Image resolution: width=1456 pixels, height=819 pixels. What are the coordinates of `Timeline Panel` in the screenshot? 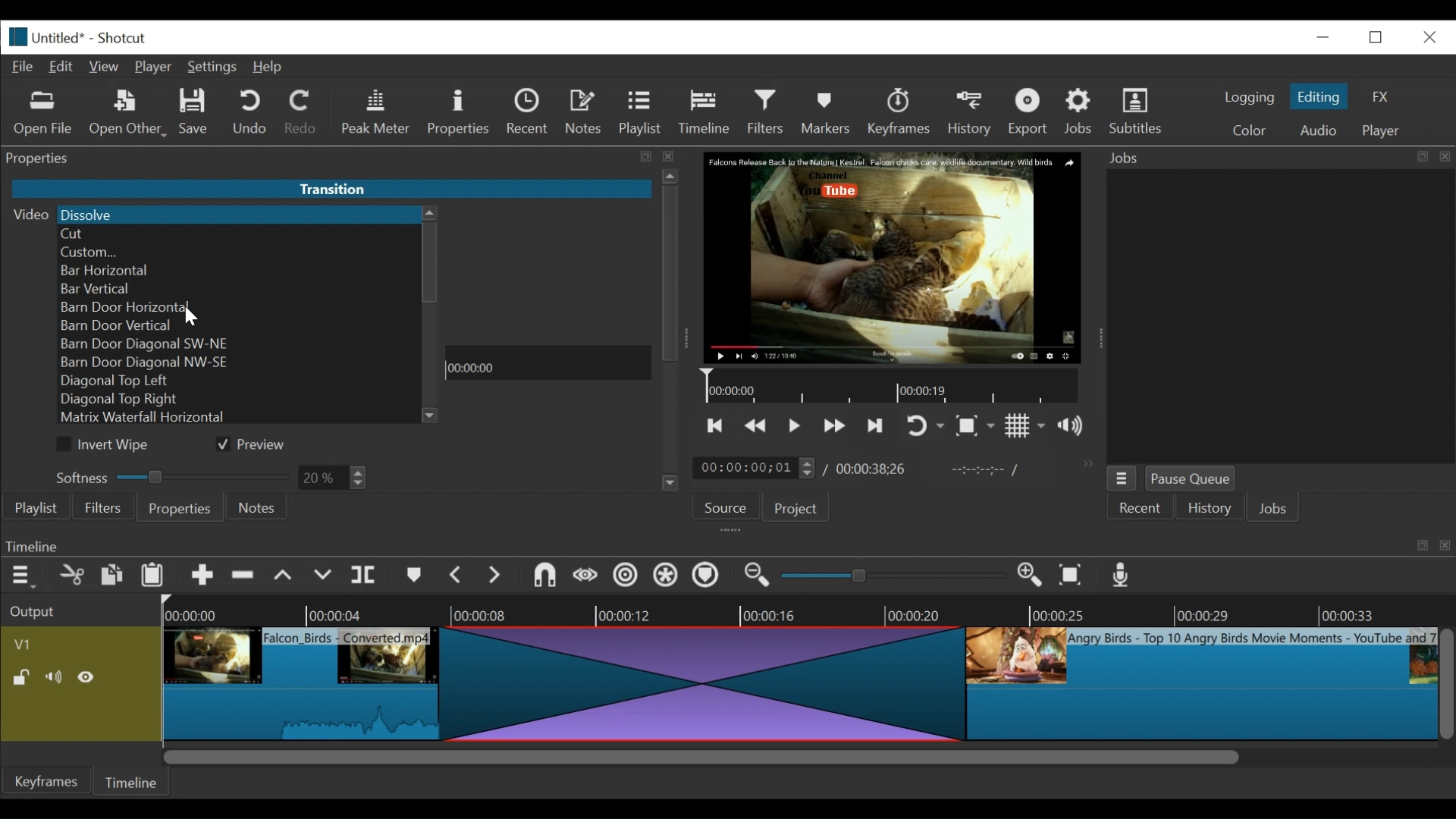 It's located at (726, 545).